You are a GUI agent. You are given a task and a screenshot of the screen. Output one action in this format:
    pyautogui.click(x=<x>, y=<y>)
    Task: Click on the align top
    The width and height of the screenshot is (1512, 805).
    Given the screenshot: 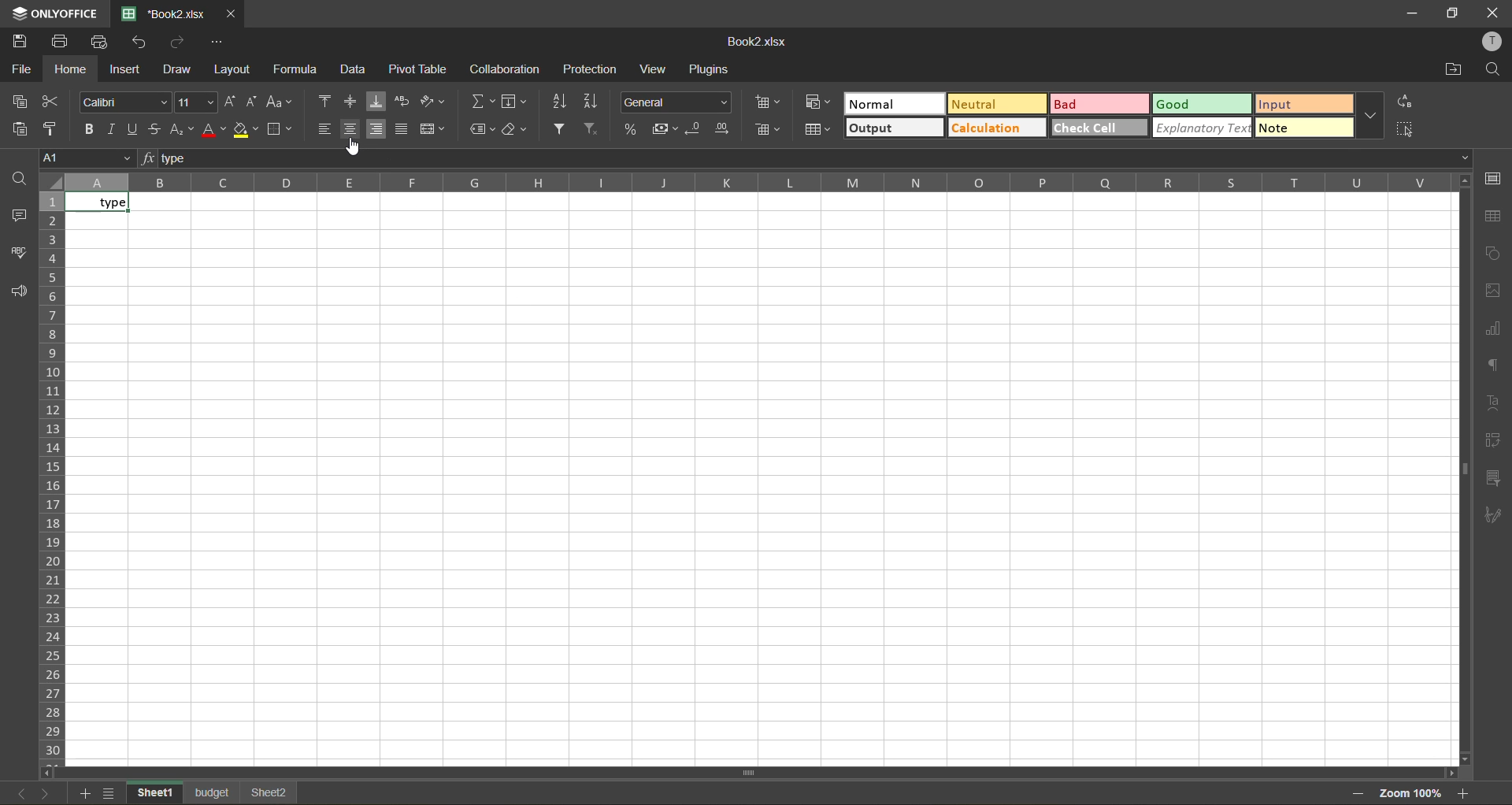 What is the action you would take?
    pyautogui.click(x=325, y=99)
    